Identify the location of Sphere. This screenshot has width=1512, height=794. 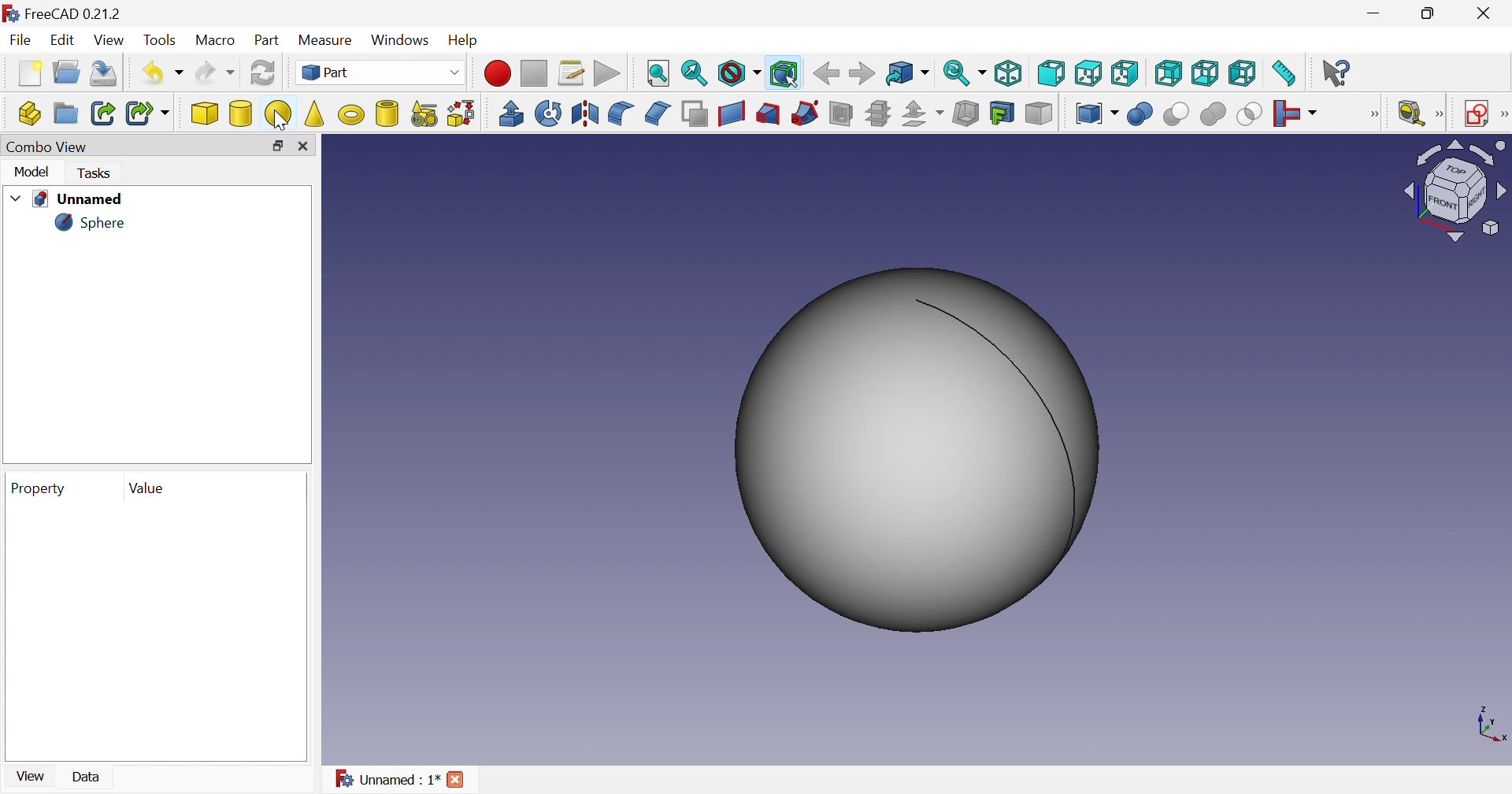
(278, 114).